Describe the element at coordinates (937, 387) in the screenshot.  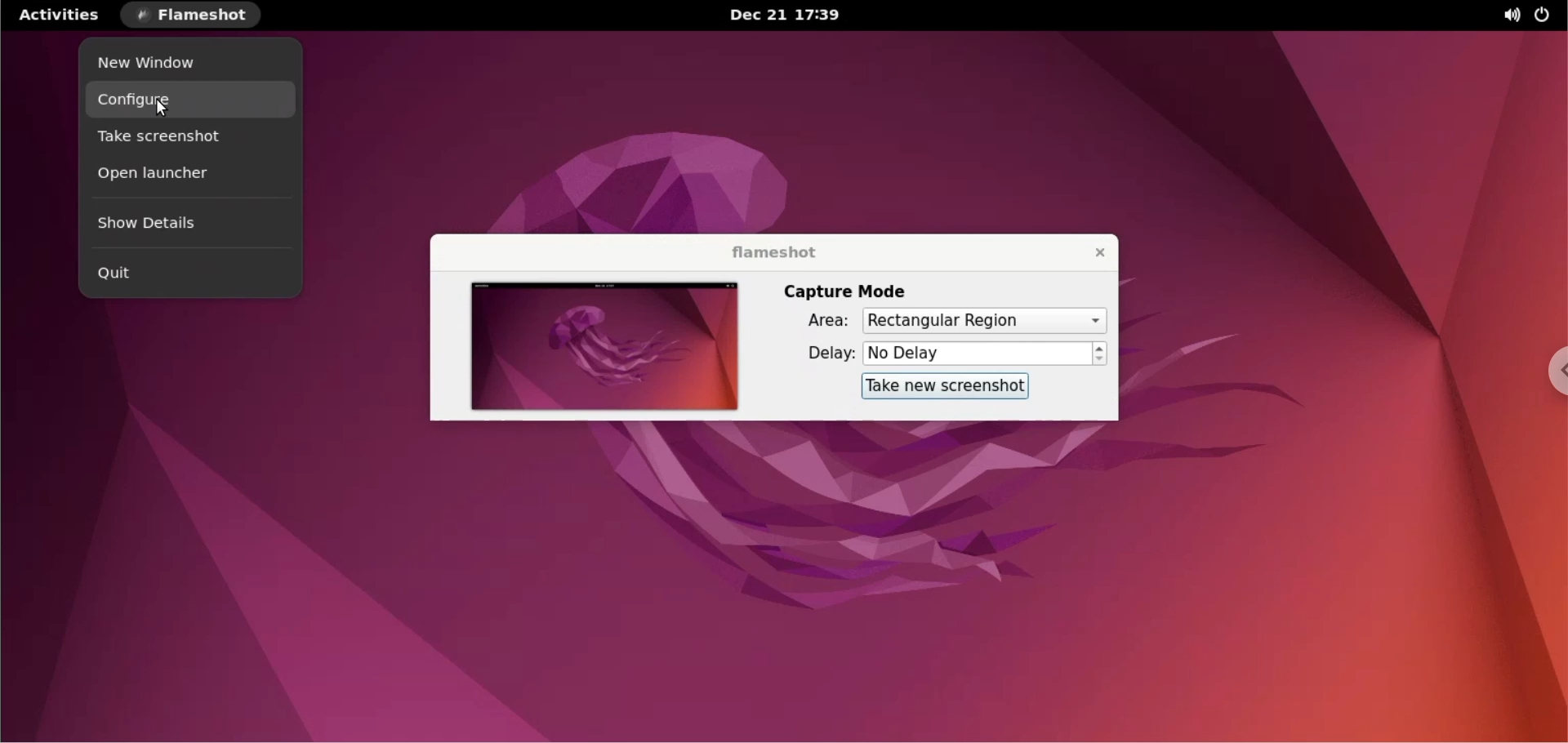
I see `take new screenshot` at that location.